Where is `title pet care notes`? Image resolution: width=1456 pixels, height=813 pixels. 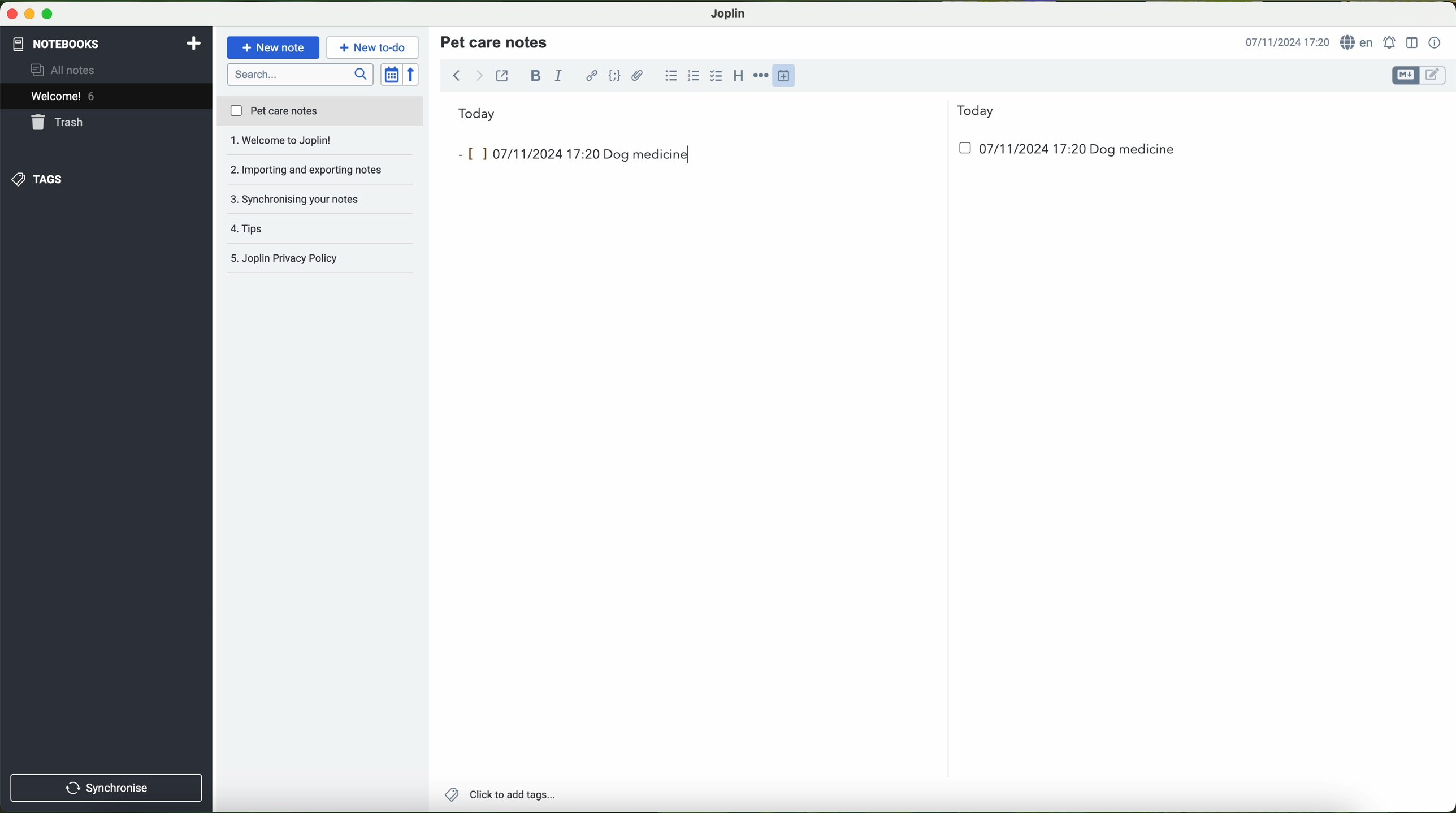 title pet care notes is located at coordinates (496, 41).